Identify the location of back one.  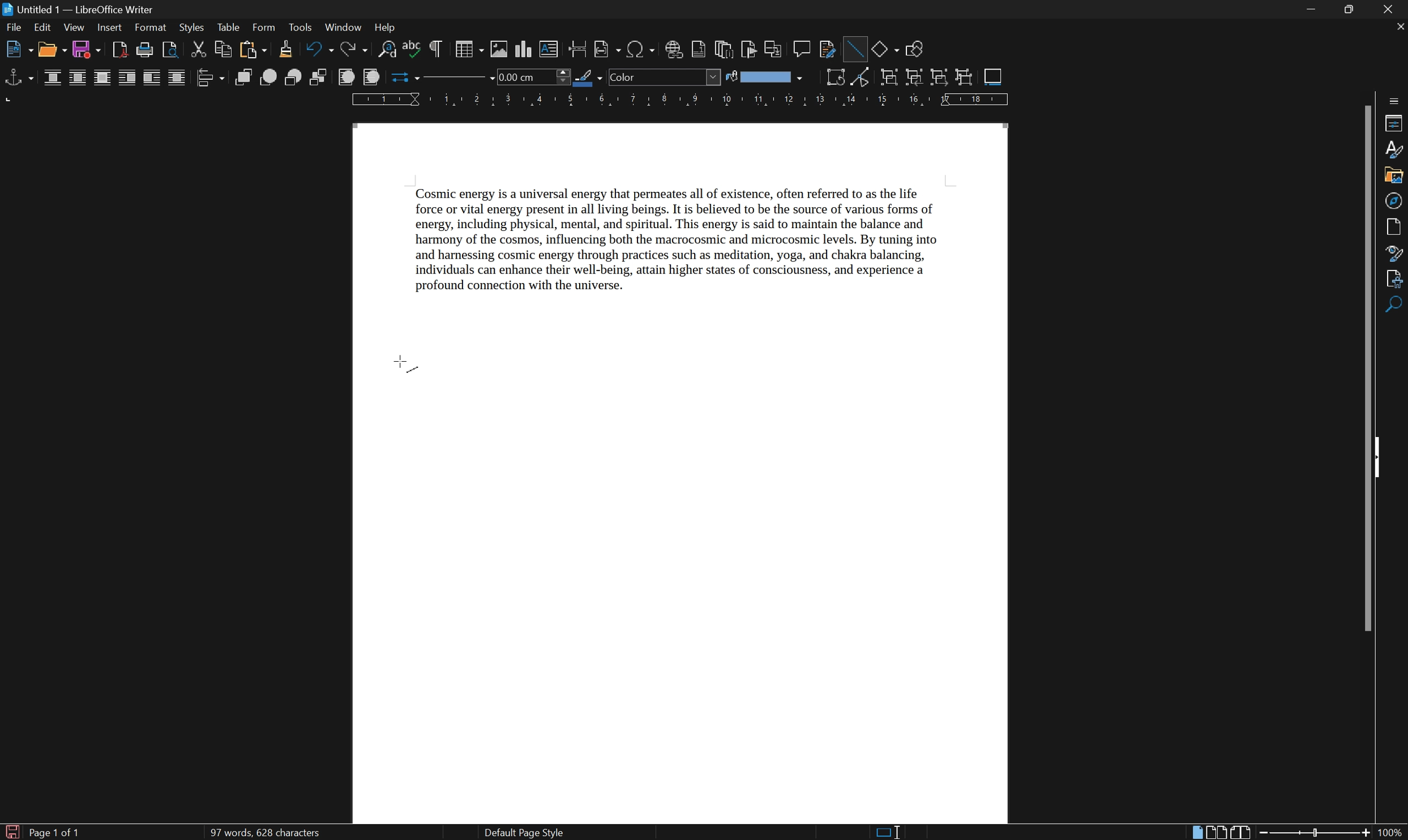
(295, 78).